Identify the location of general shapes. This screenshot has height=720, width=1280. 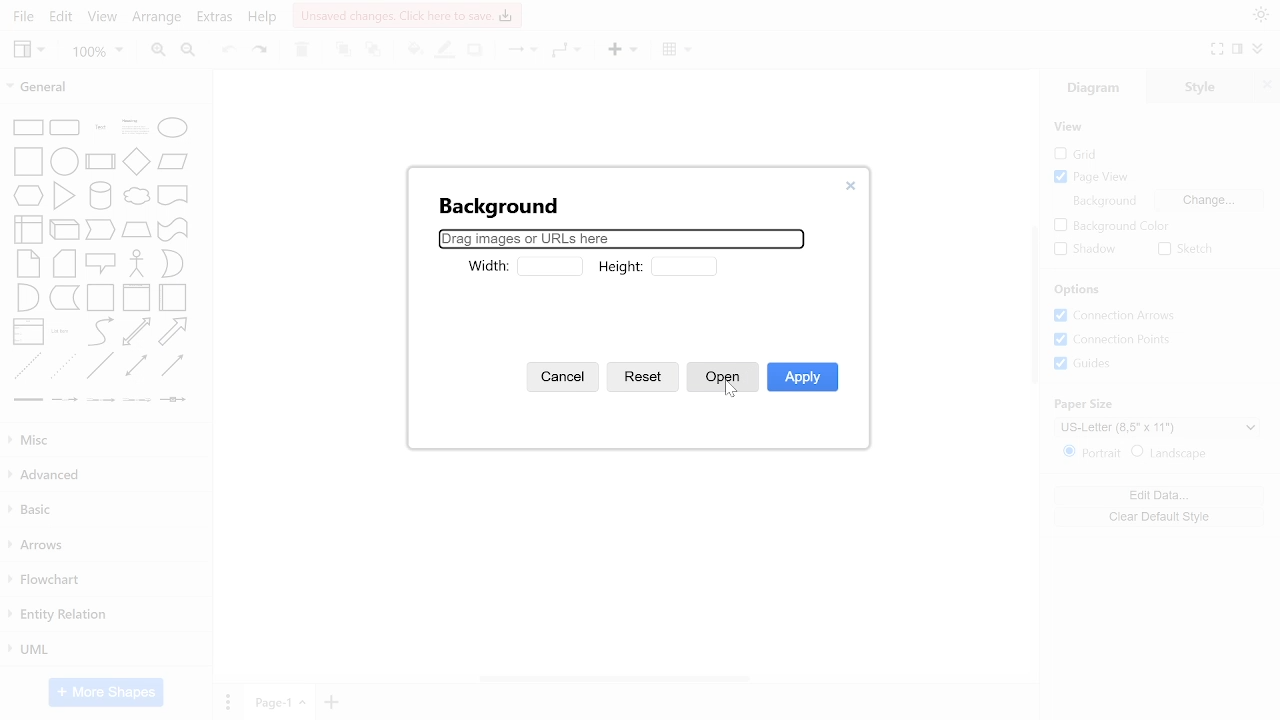
(101, 401).